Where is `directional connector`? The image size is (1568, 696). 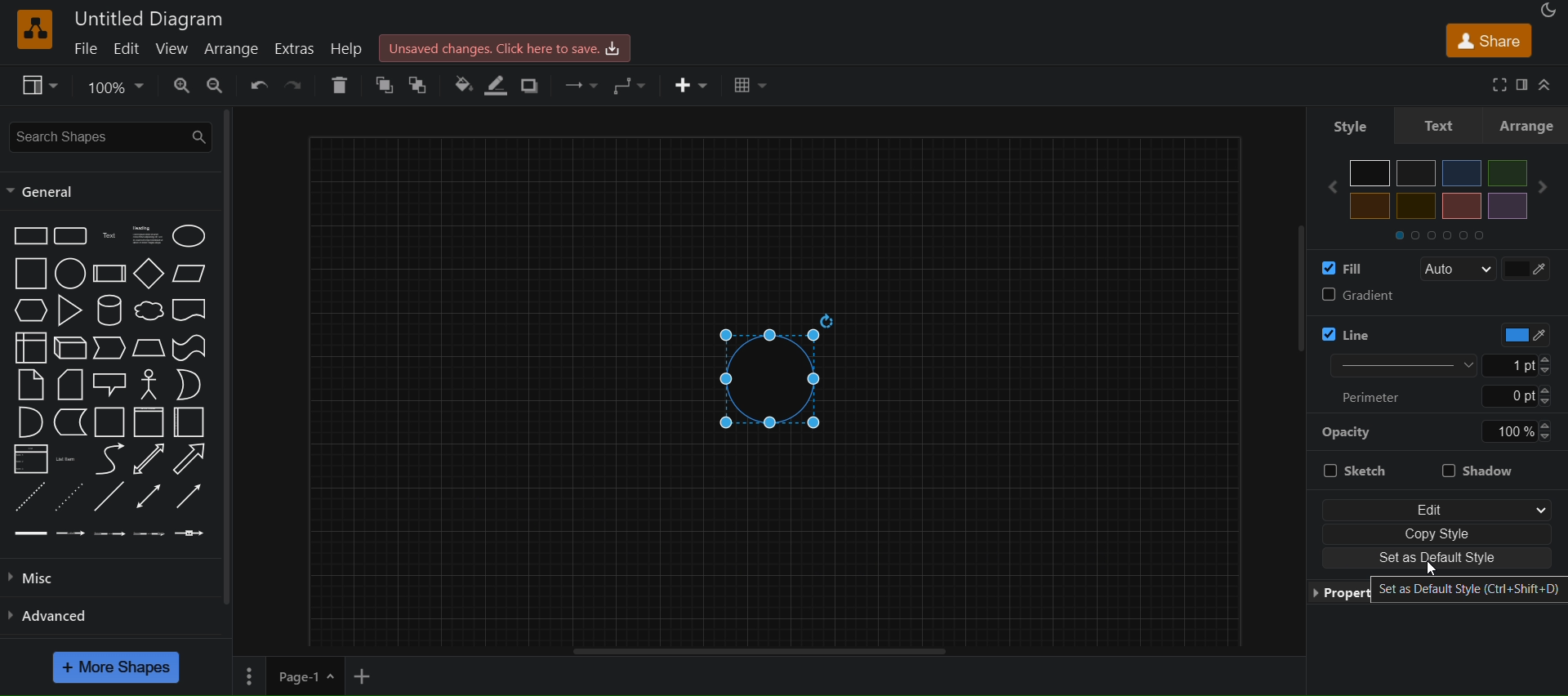
directional connector is located at coordinates (193, 497).